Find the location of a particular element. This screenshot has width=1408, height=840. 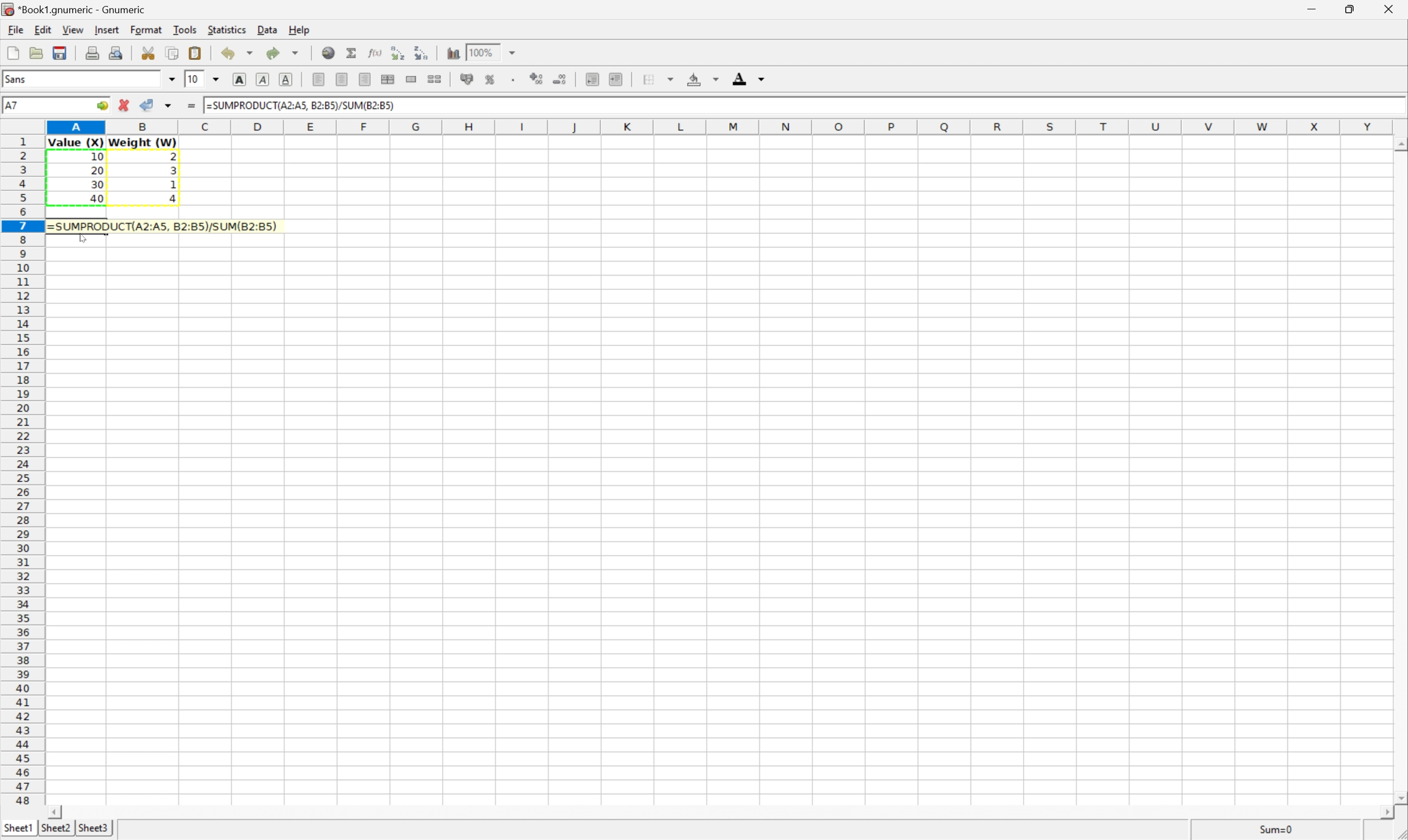

Merge a range of cells is located at coordinates (412, 80).